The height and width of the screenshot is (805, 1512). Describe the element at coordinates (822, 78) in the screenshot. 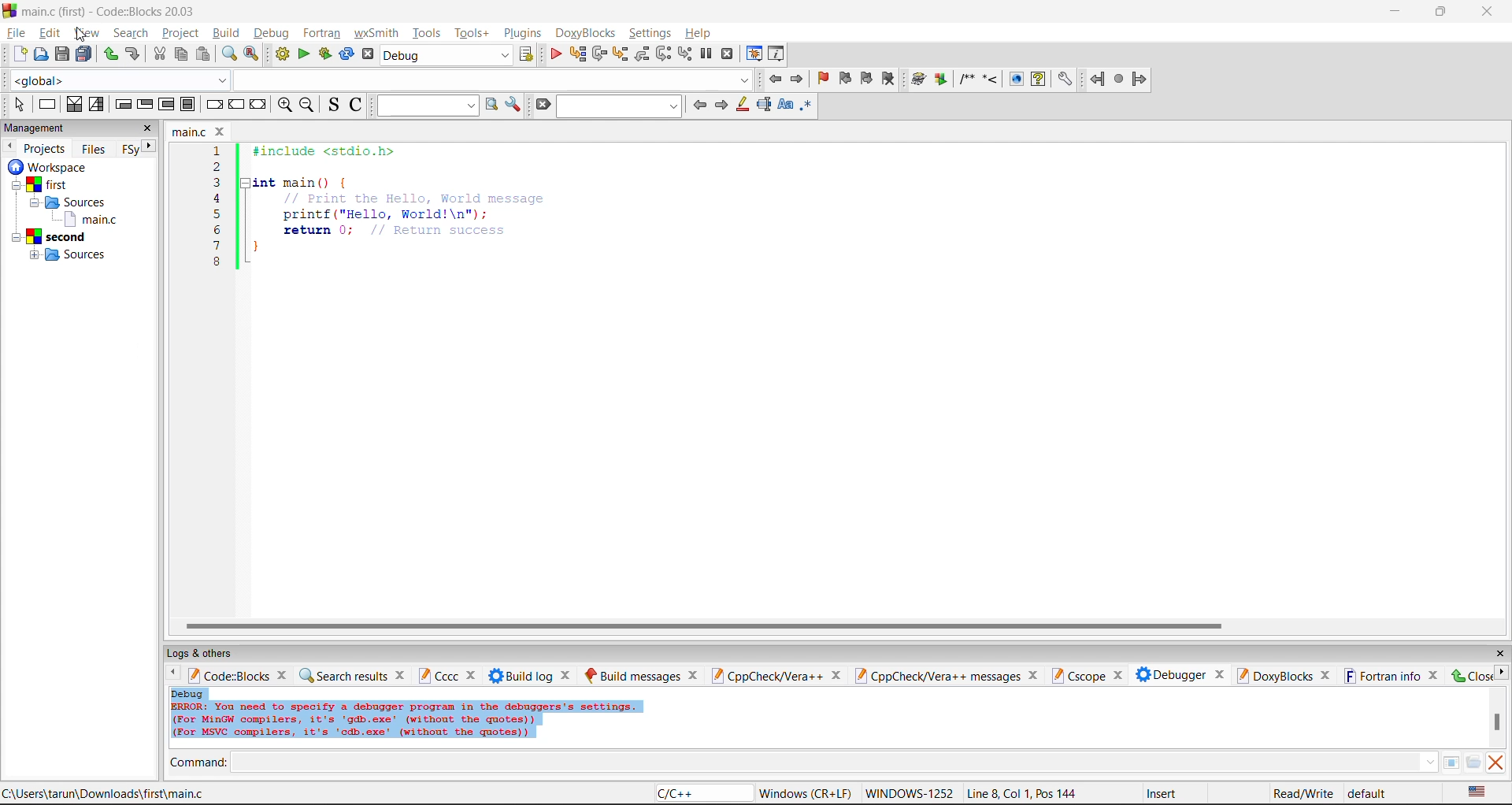

I see `toggle bookmarks` at that location.